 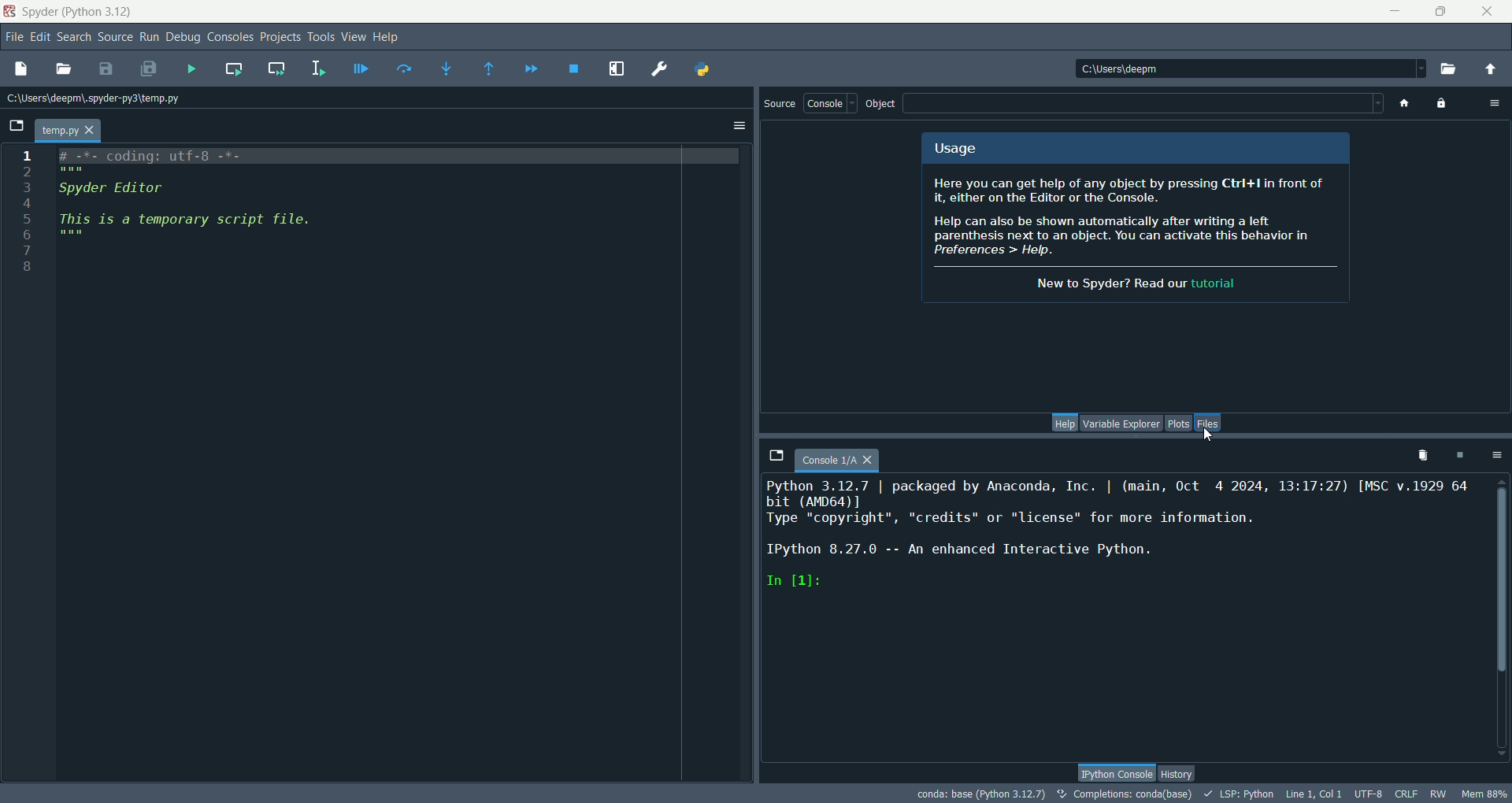 What do you see at coordinates (106, 70) in the screenshot?
I see `save` at bounding box center [106, 70].